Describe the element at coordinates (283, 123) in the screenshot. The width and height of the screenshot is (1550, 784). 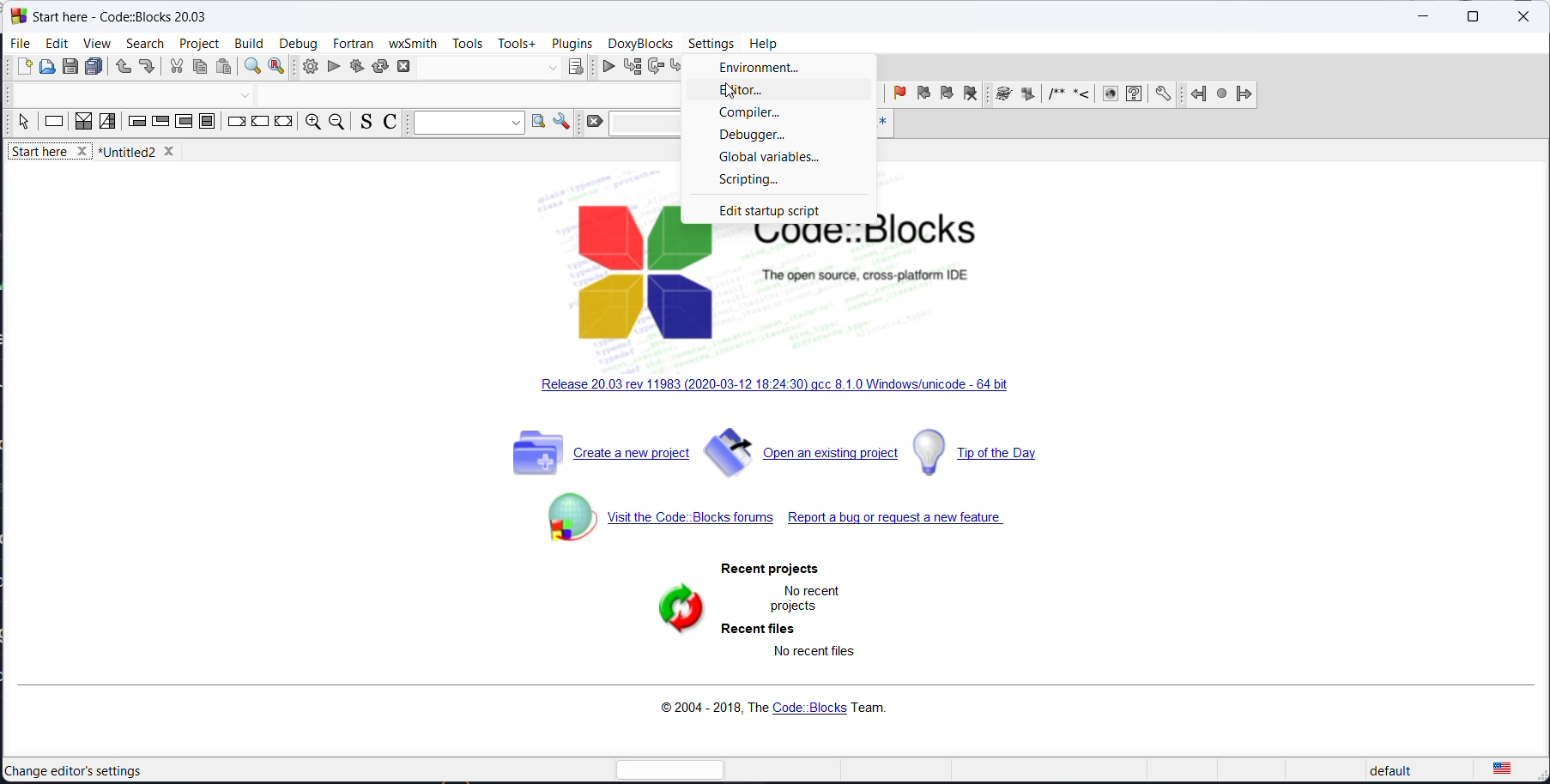
I see `return instruction` at that location.